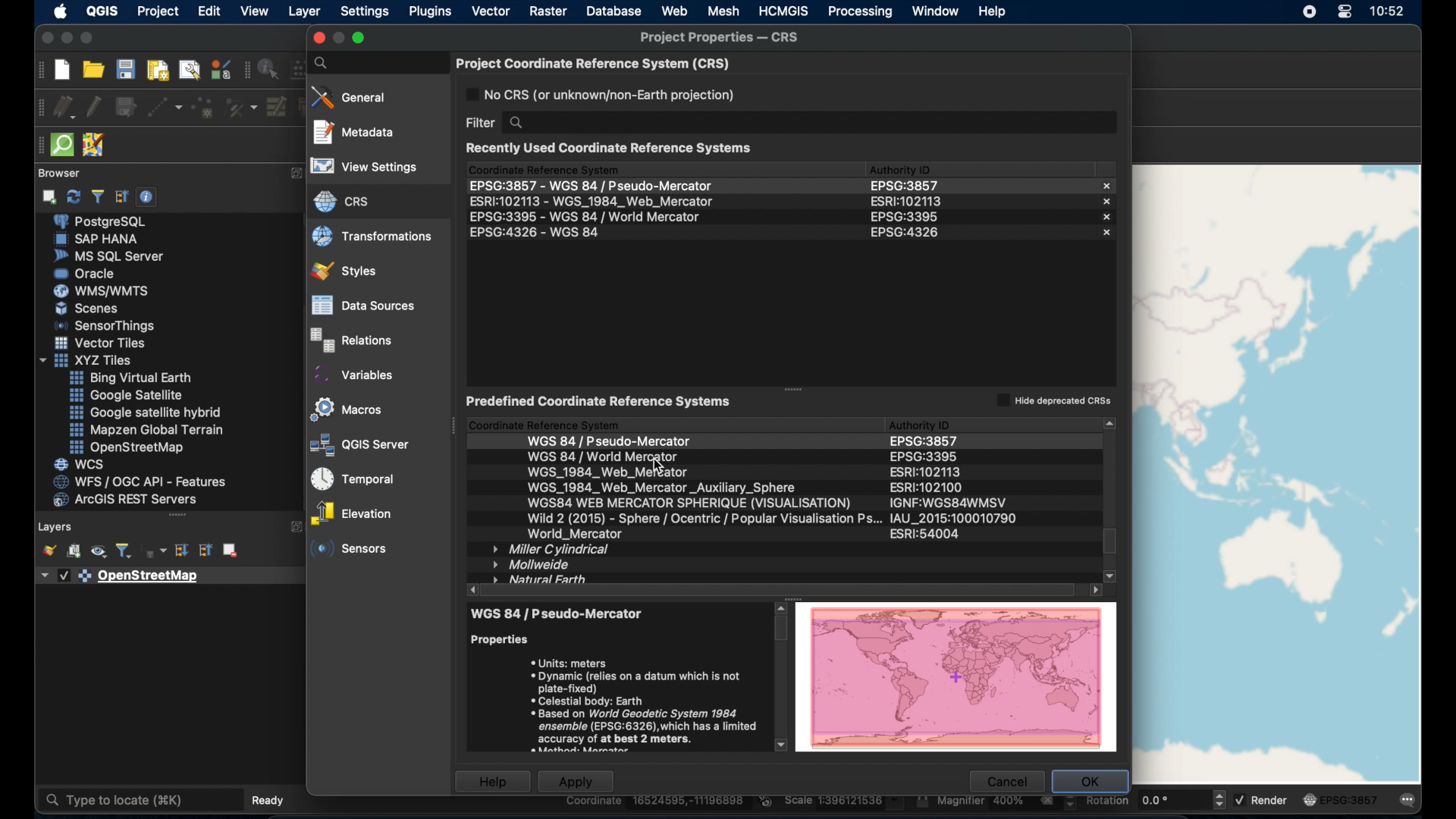  What do you see at coordinates (103, 292) in the screenshot?
I see `was/wmts` at bounding box center [103, 292].